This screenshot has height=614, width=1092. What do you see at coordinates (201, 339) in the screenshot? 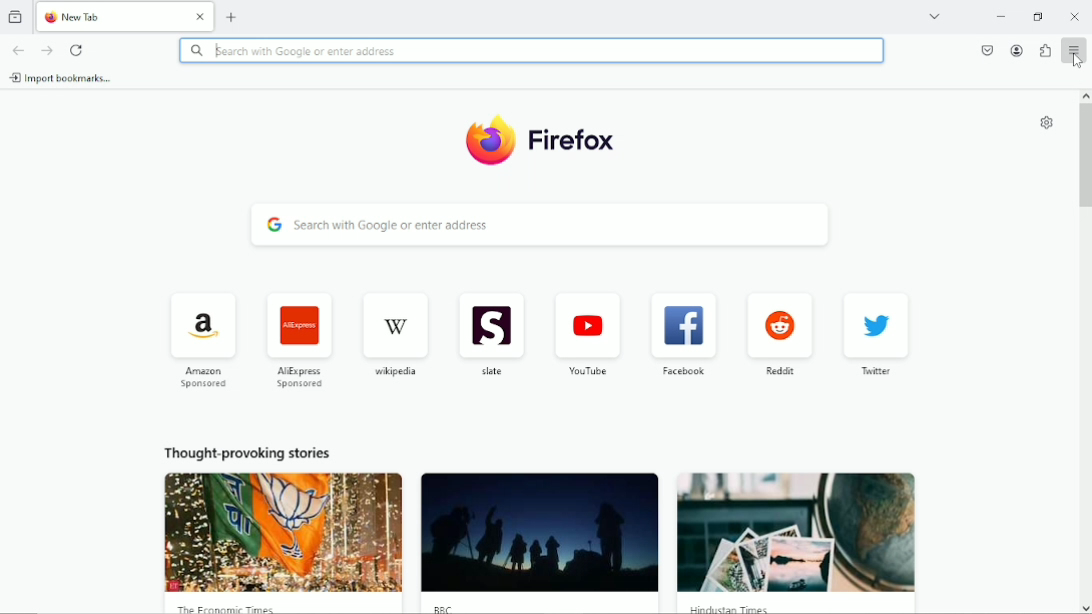
I see `Amazon` at bounding box center [201, 339].